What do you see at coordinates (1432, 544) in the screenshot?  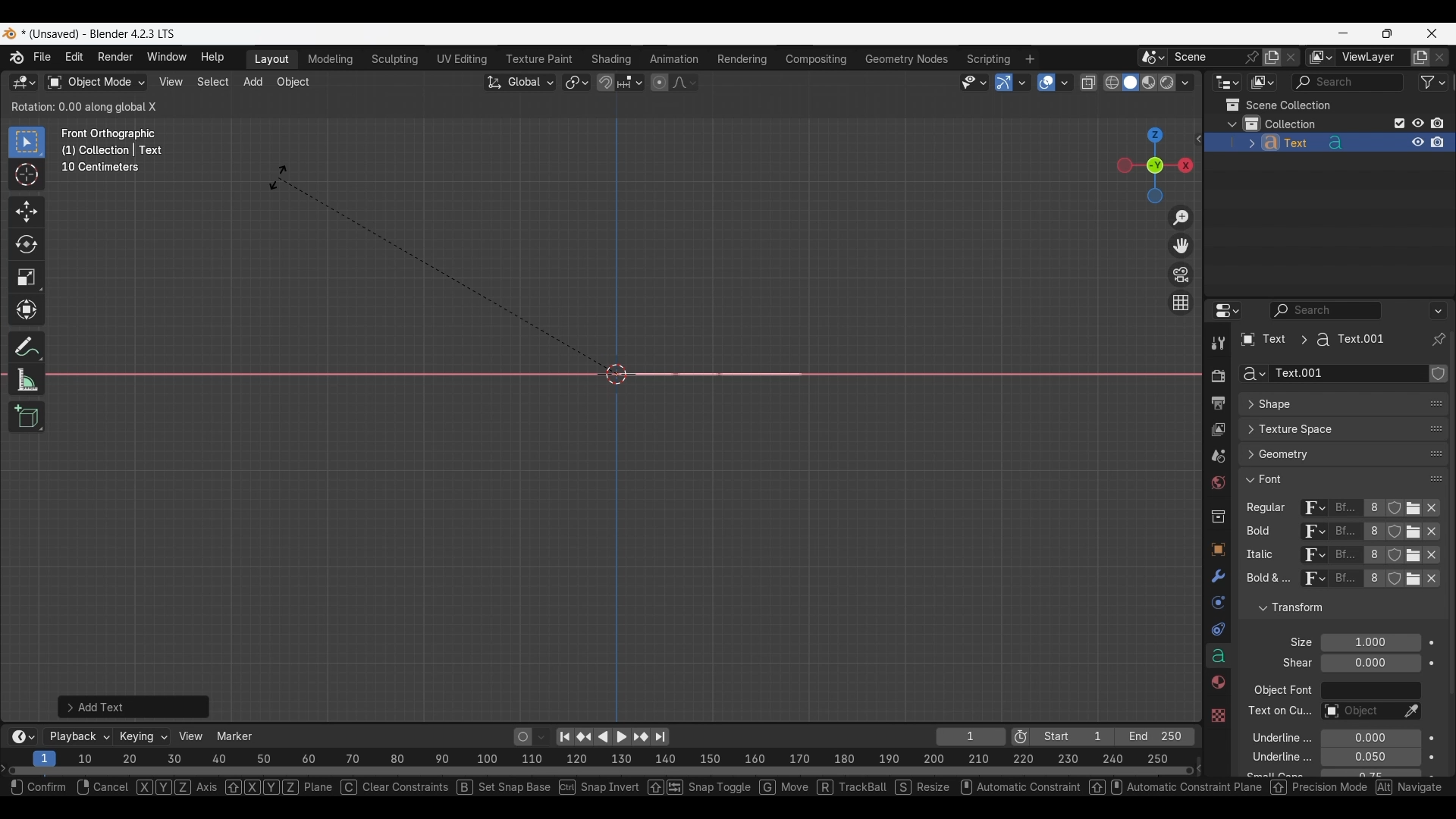 I see `Unlink respective attribute` at bounding box center [1432, 544].